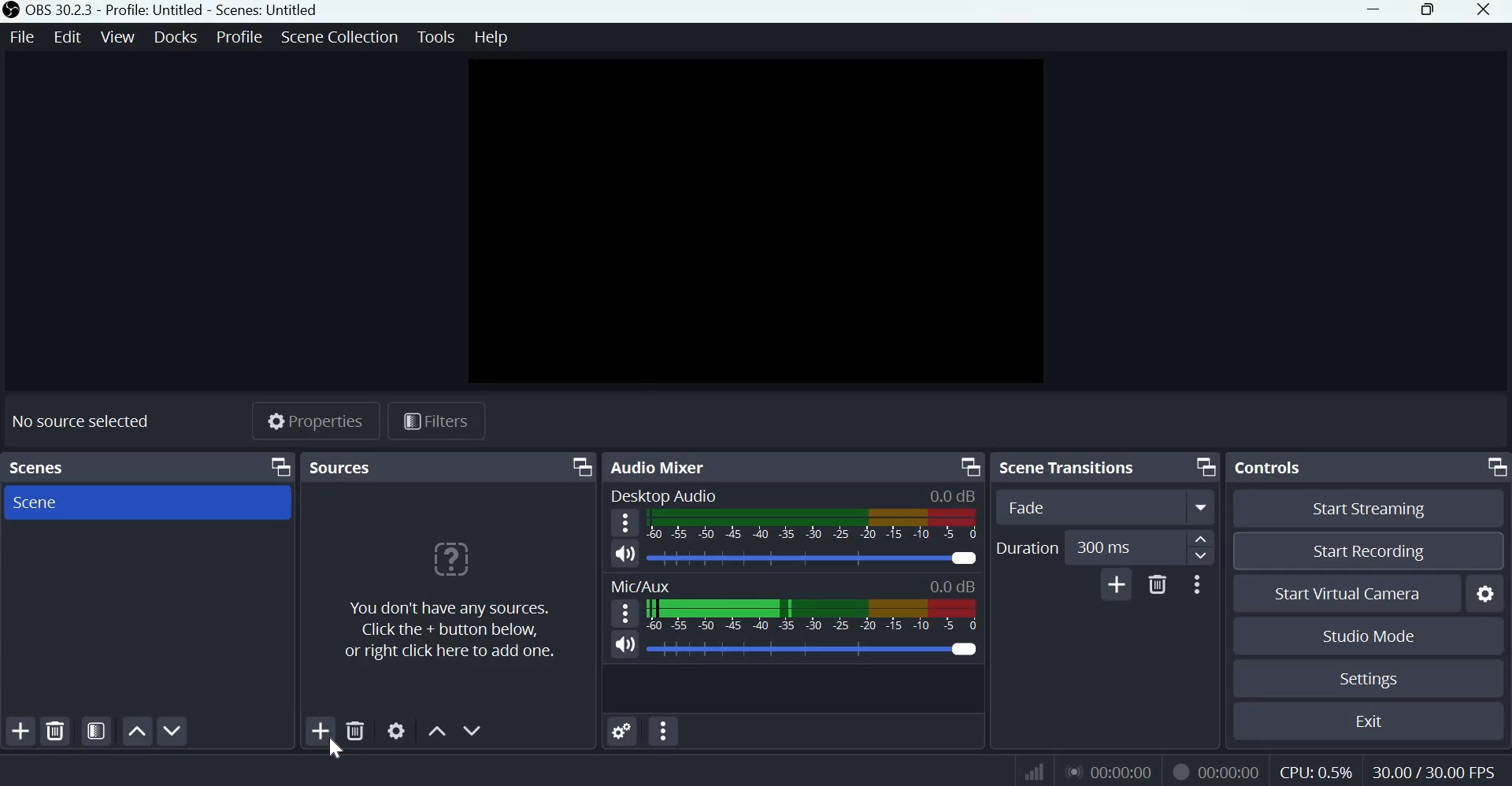 The height and width of the screenshot is (786, 1512). I want to click on Scene transitions, so click(1065, 468).